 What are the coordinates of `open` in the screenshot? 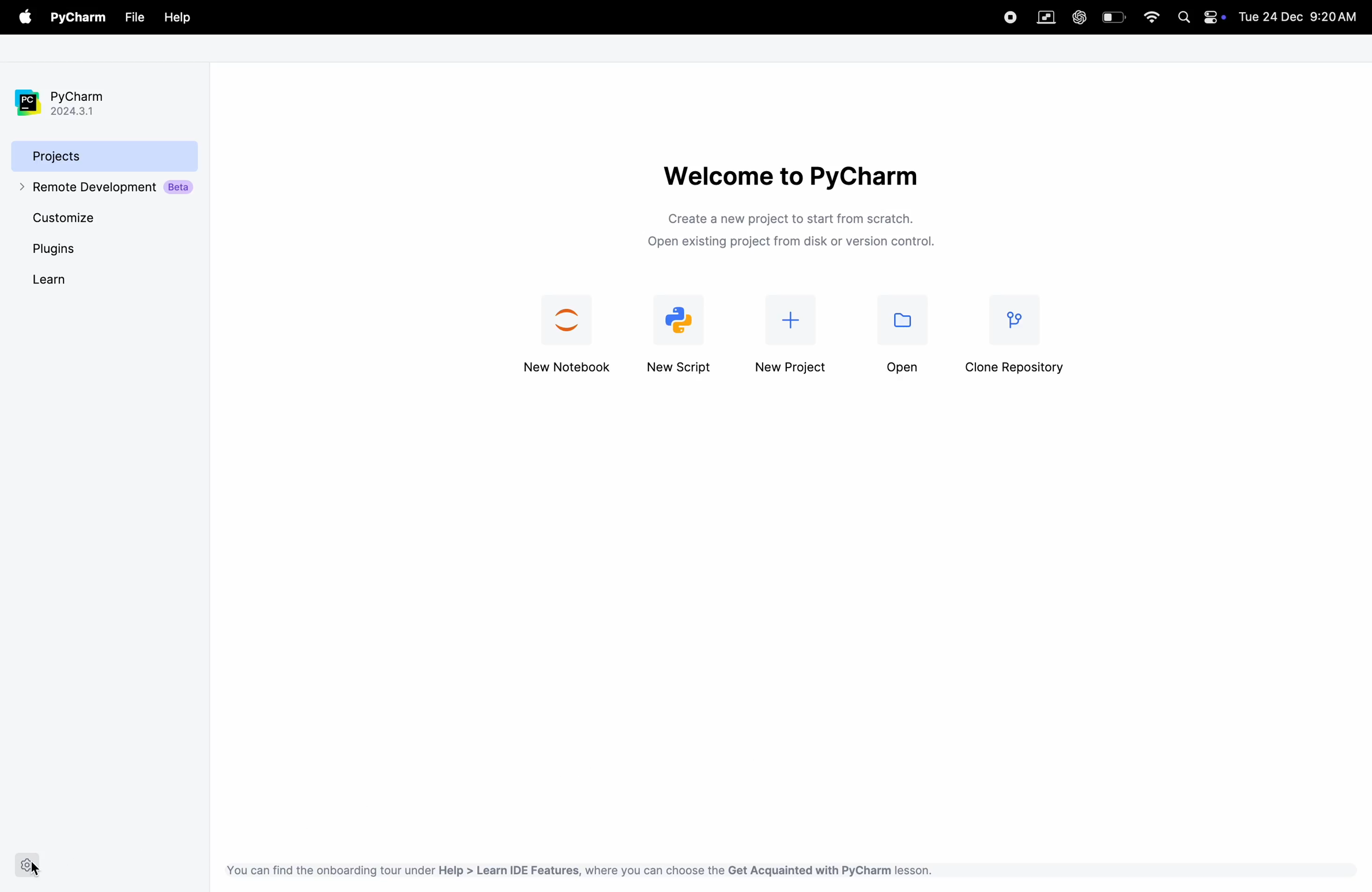 It's located at (902, 340).